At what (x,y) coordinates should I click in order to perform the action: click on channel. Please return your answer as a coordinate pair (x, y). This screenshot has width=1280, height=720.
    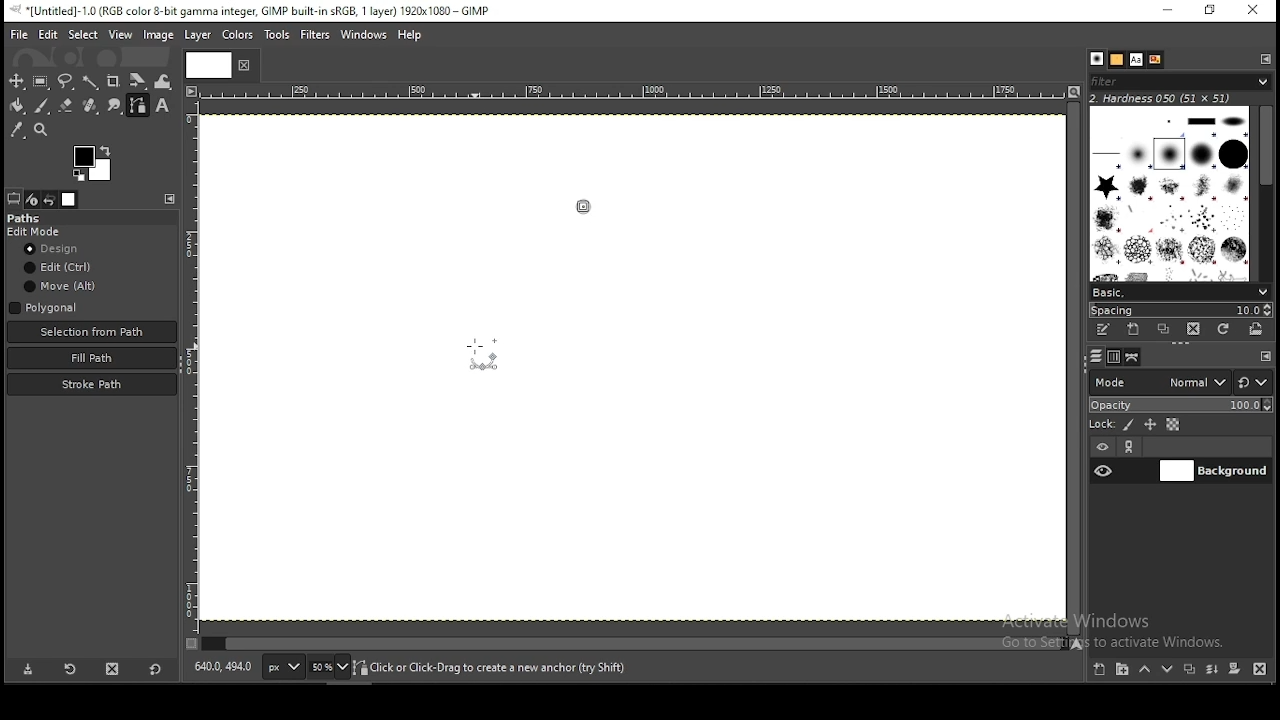
    Looking at the image, I should click on (1113, 356).